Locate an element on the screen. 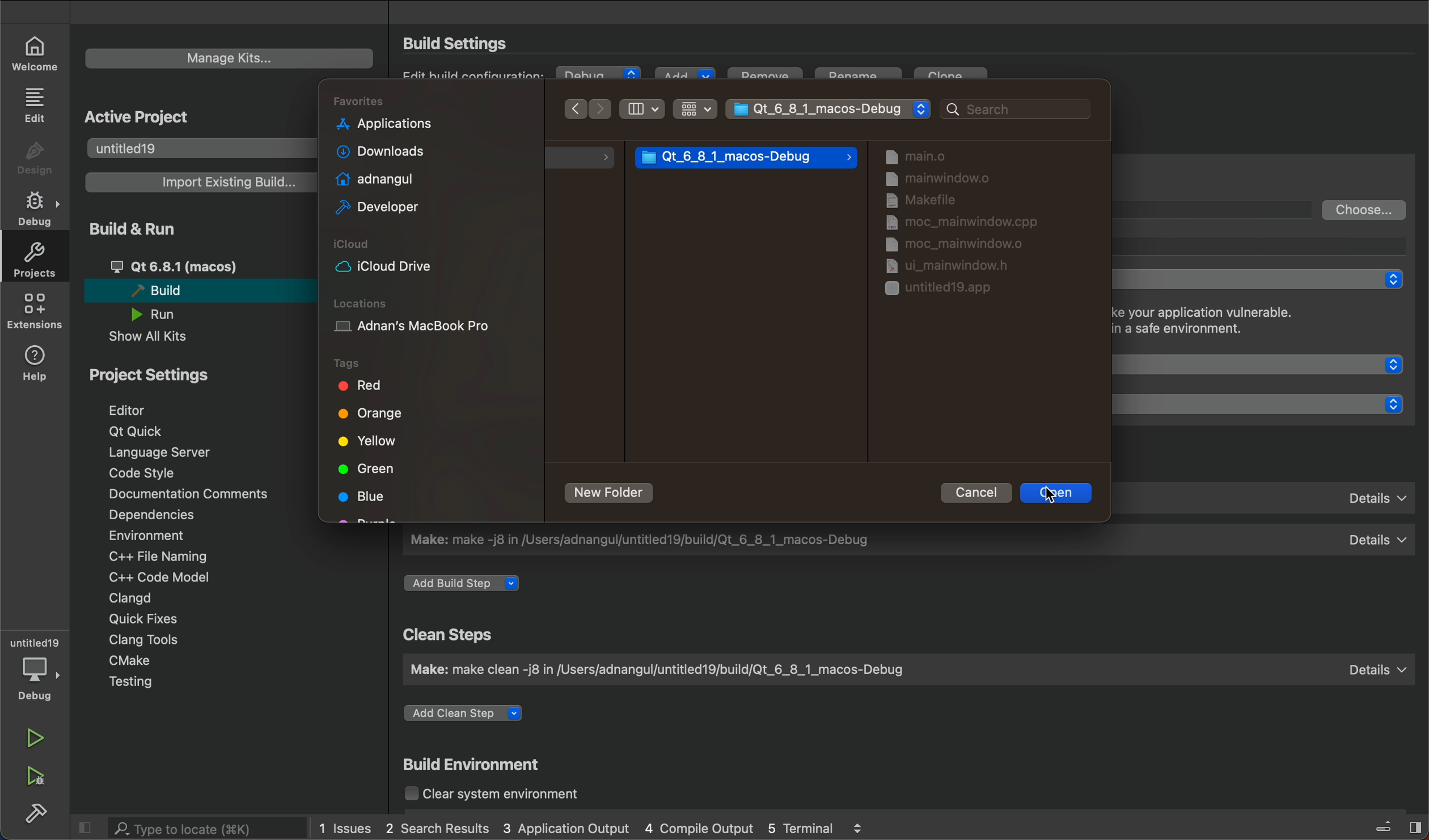 This screenshot has height=840, width=1429. clang tools is located at coordinates (141, 639).